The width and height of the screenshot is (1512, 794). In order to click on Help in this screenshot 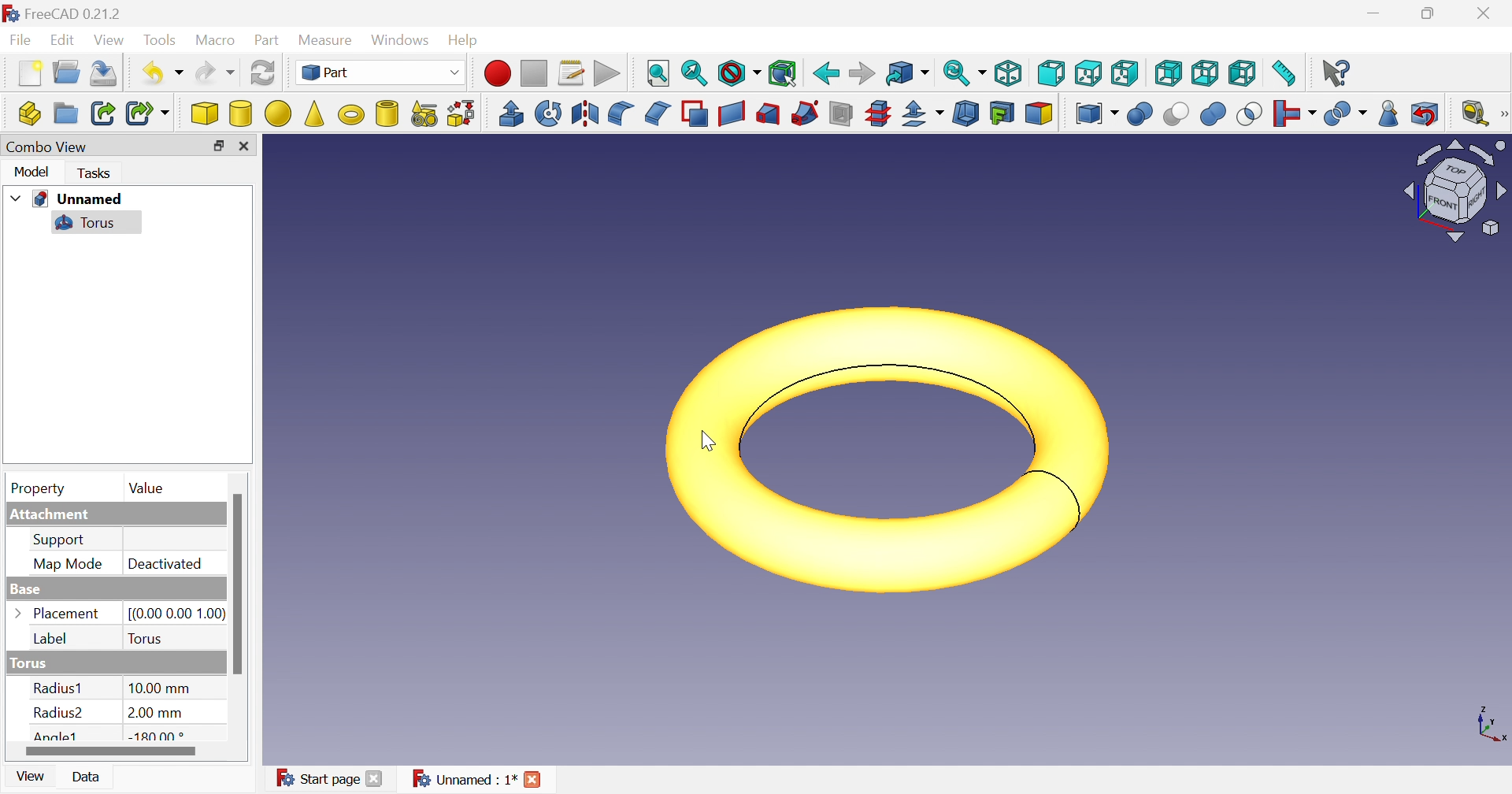, I will do `click(465, 41)`.